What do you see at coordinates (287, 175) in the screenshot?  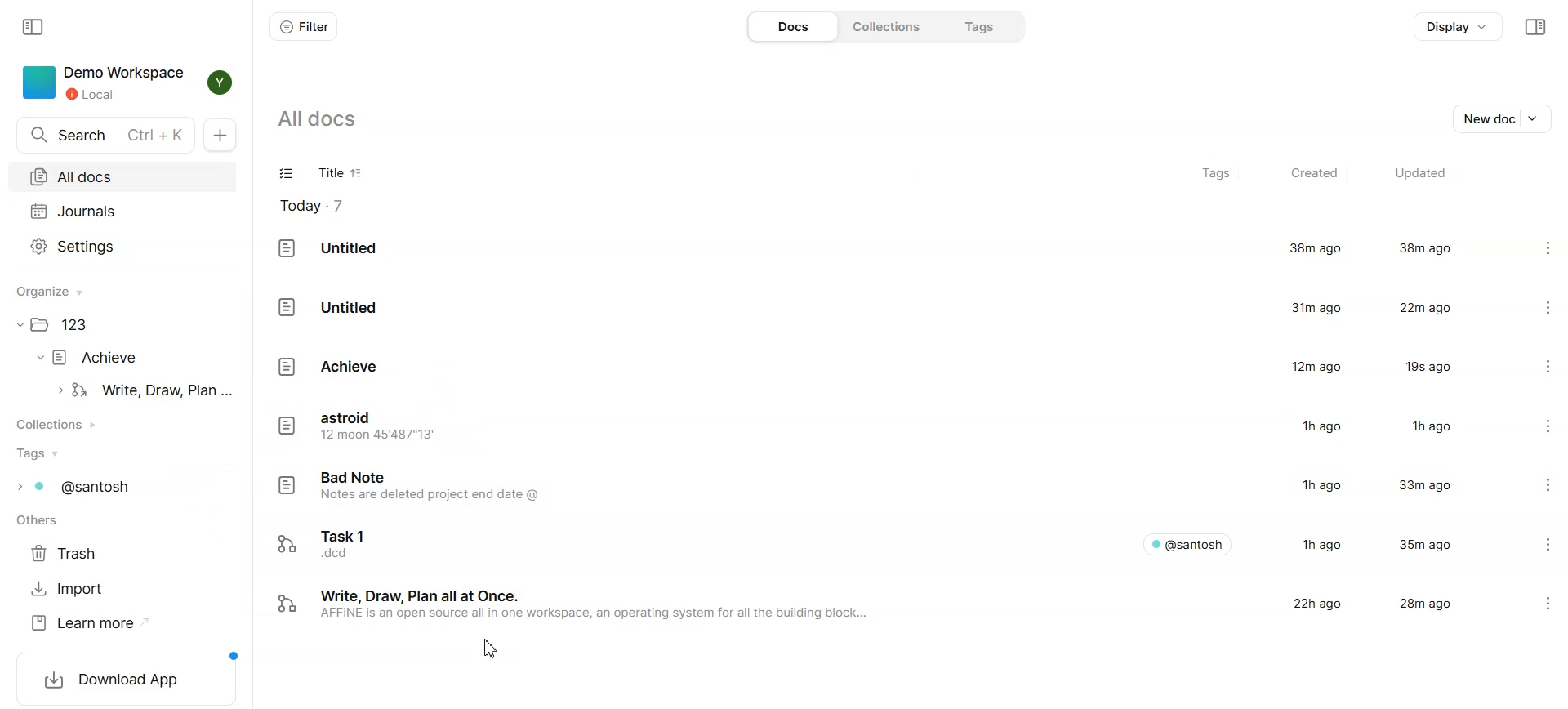 I see `Checklist` at bounding box center [287, 175].